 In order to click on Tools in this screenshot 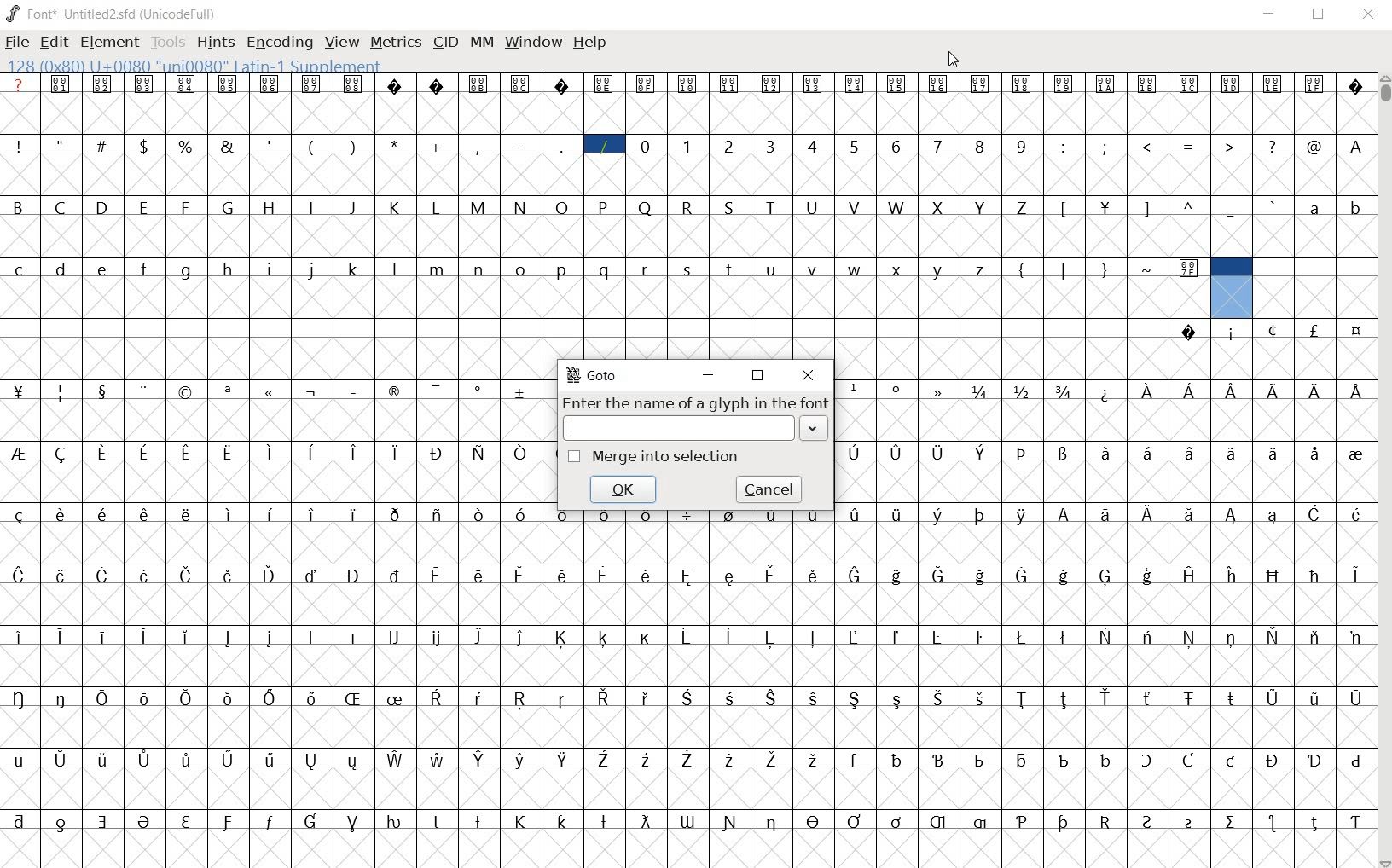, I will do `click(168, 42)`.